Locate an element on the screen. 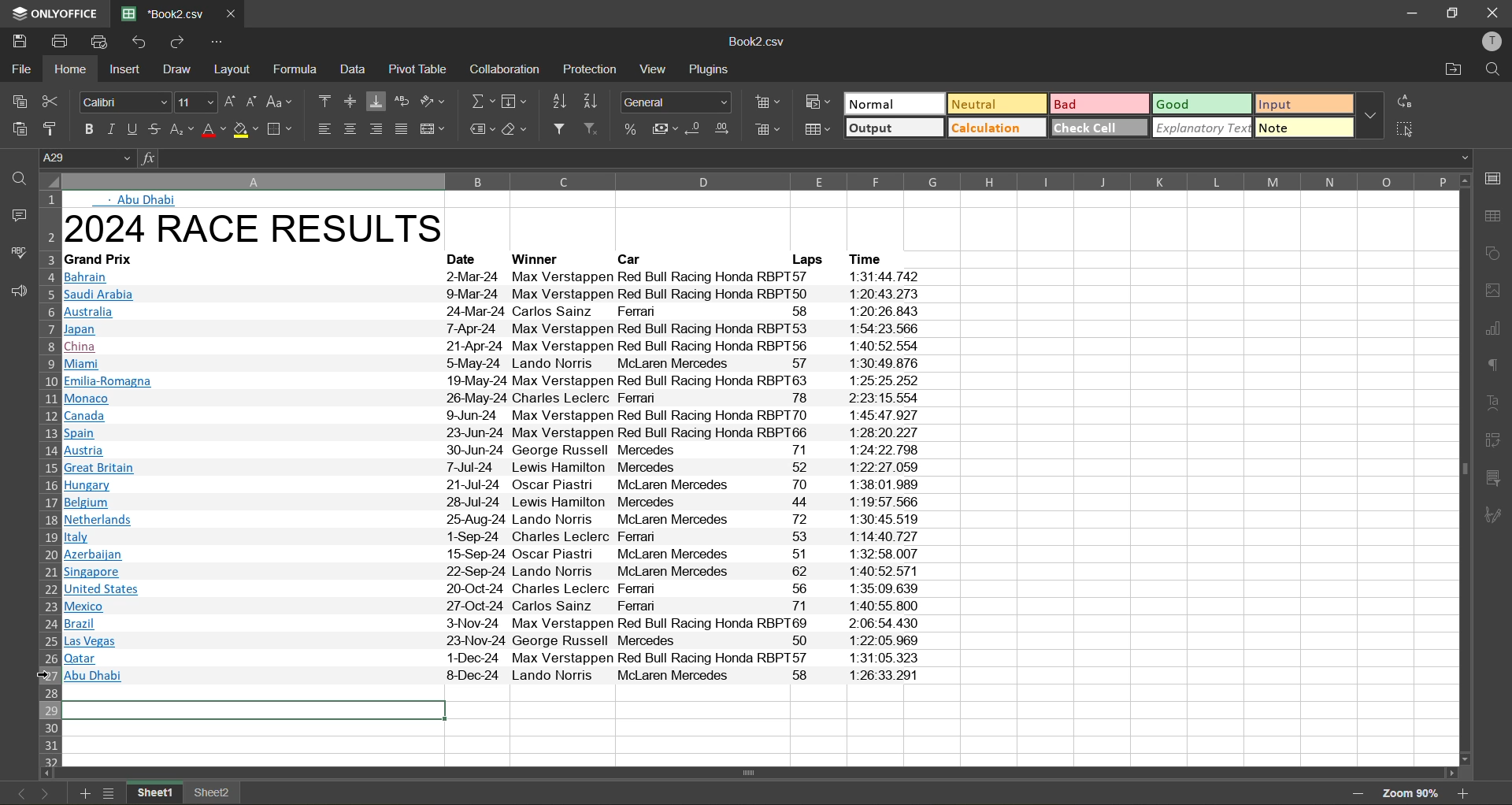 The height and width of the screenshot is (805, 1512). text info is located at coordinates (874, 258).